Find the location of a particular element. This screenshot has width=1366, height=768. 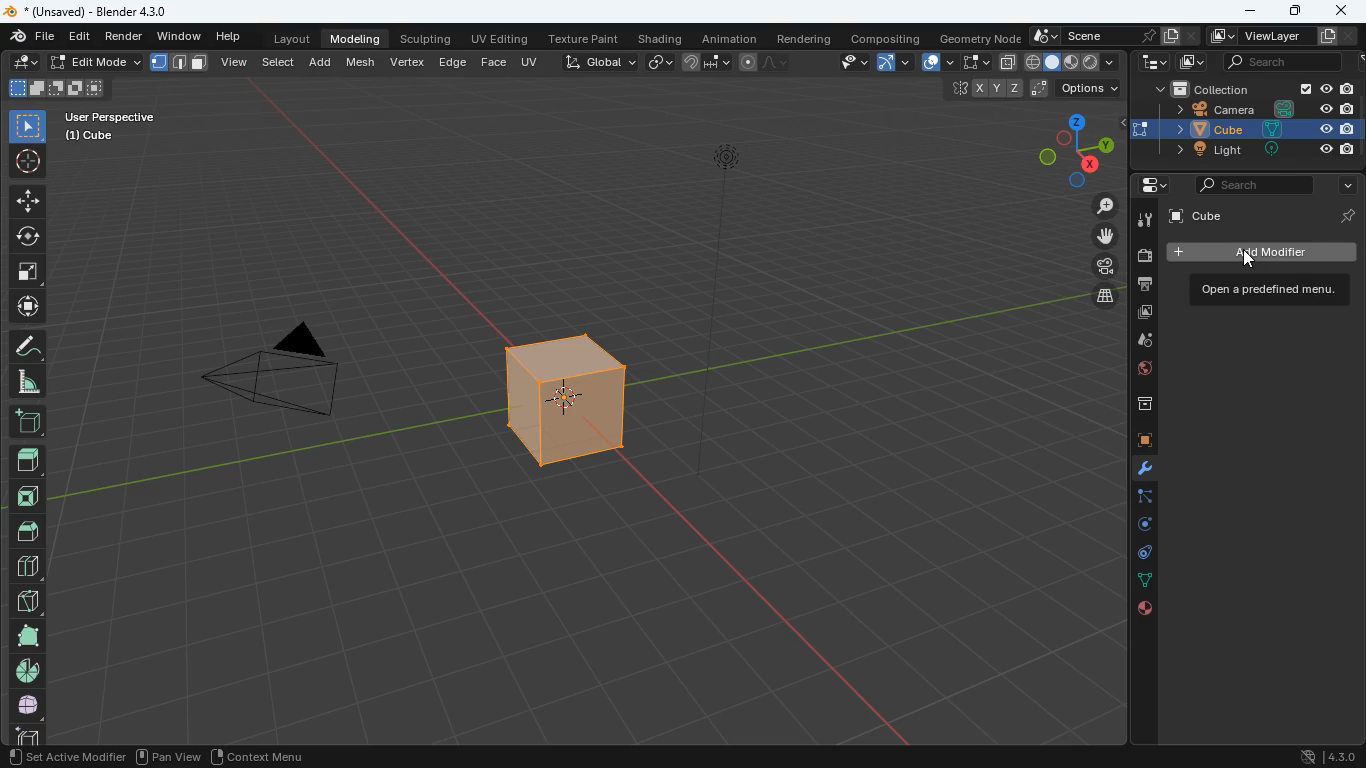

shading is located at coordinates (660, 39).